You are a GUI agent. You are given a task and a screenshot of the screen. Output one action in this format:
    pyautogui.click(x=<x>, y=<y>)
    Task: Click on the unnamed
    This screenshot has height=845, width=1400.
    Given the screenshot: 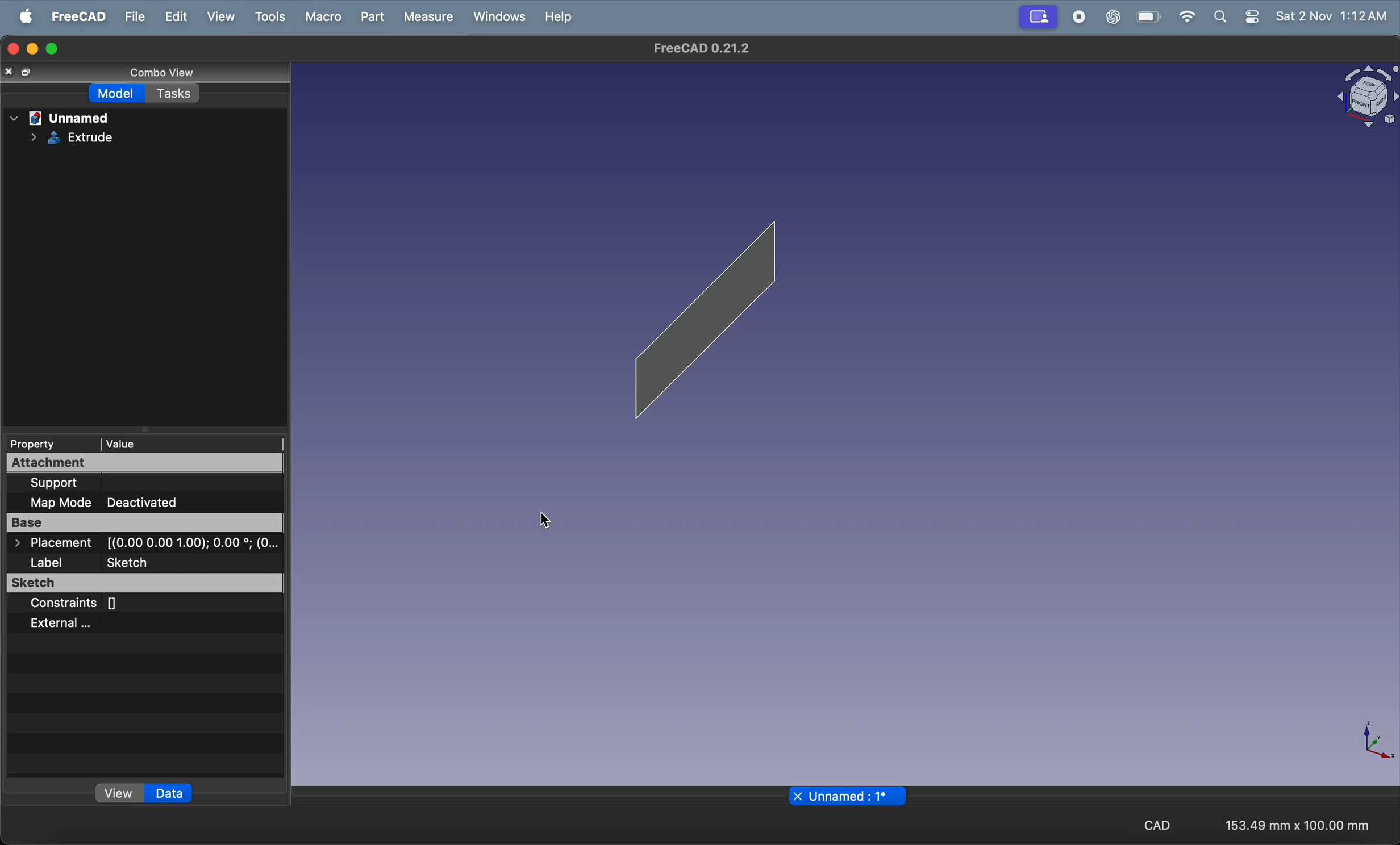 What is the action you would take?
    pyautogui.click(x=61, y=118)
    